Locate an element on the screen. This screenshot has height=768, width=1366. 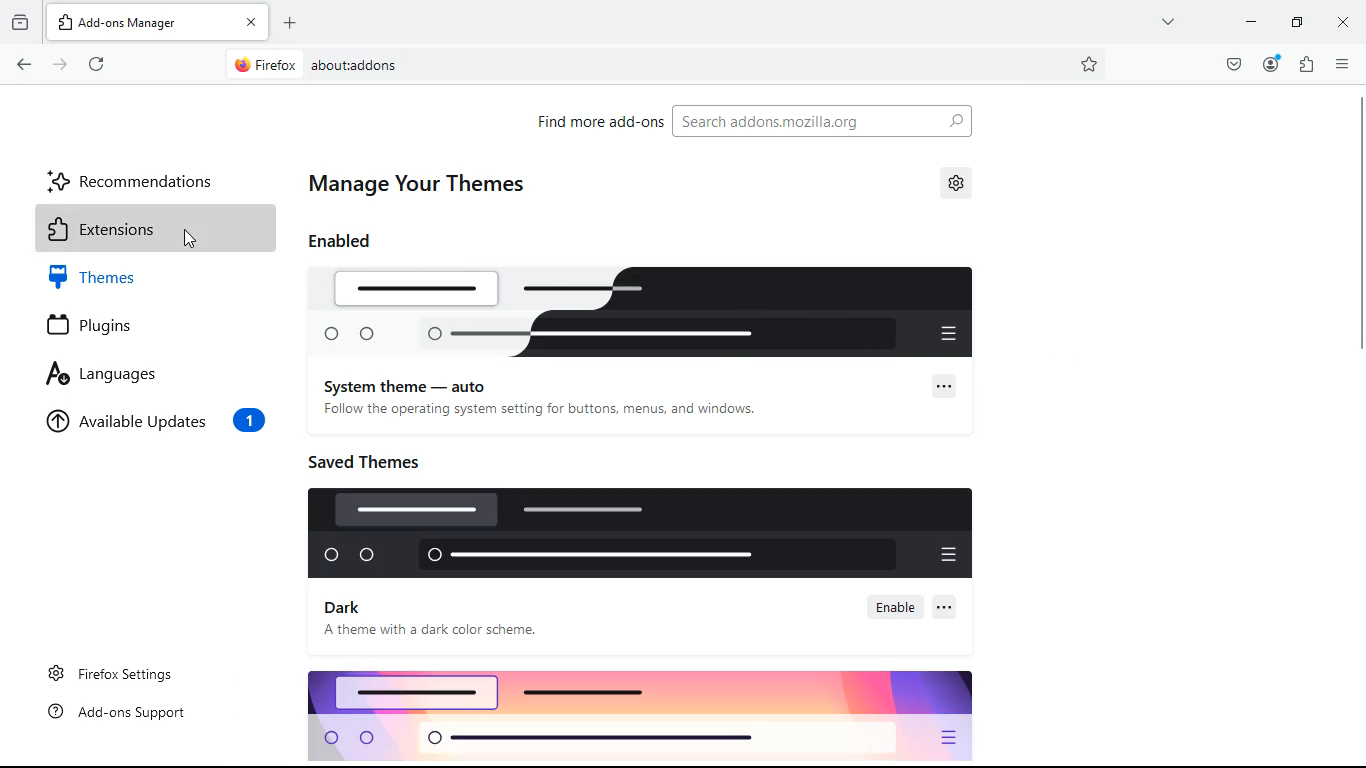
menu is located at coordinates (1344, 64).